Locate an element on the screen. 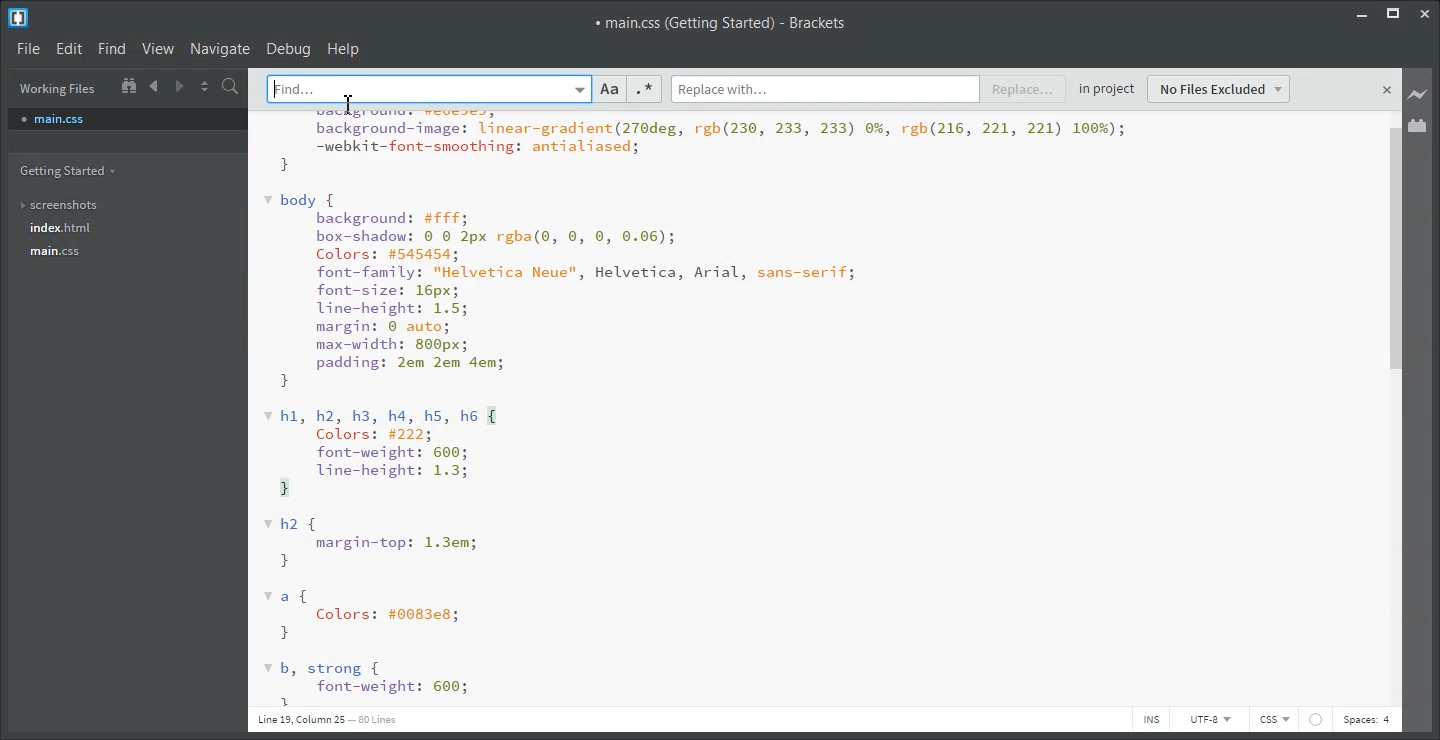 The image size is (1440, 740).  is located at coordinates (737, 125).